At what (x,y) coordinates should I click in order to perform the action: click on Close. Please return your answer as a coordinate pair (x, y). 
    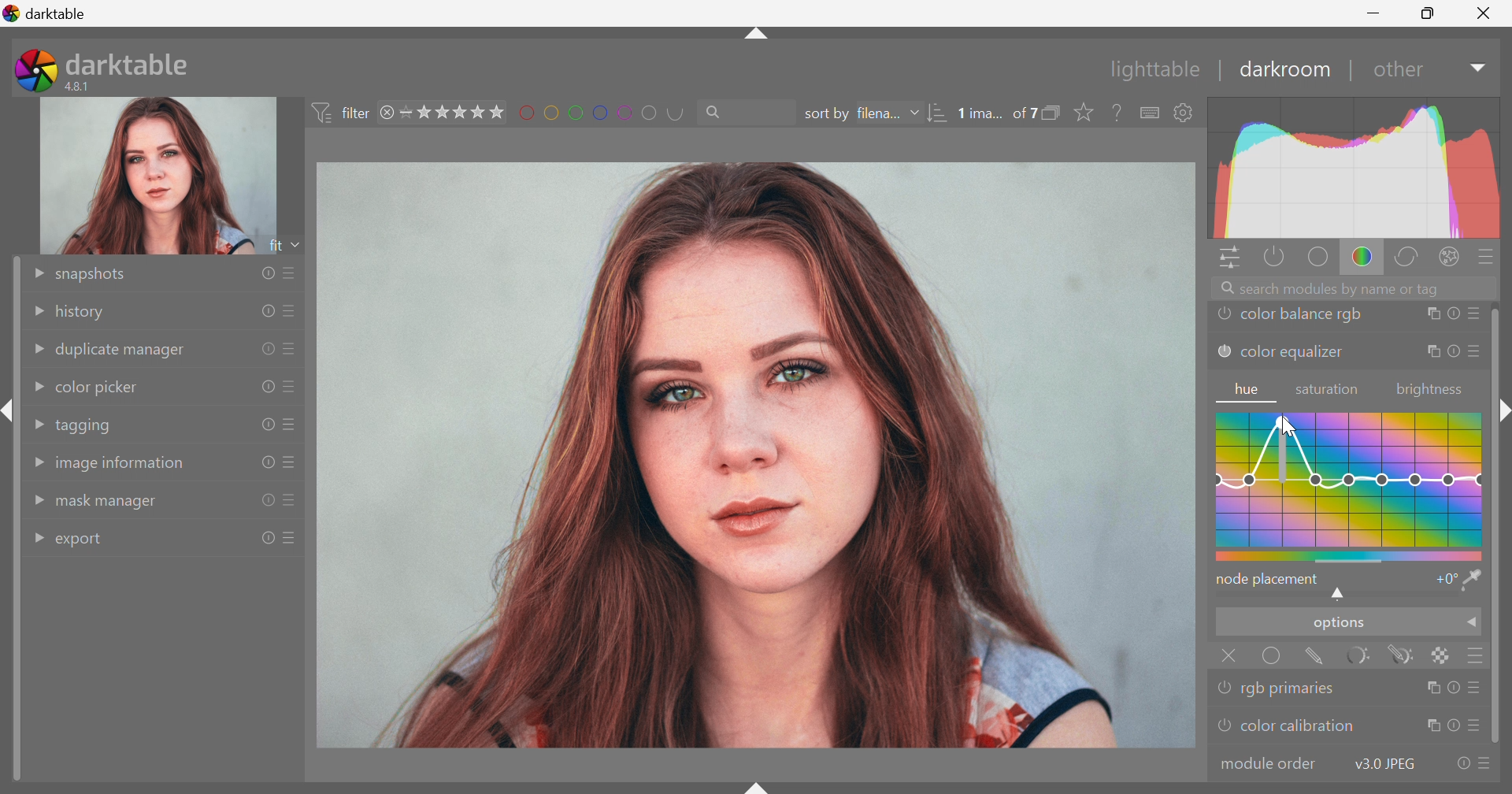
    Looking at the image, I should click on (1227, 655).